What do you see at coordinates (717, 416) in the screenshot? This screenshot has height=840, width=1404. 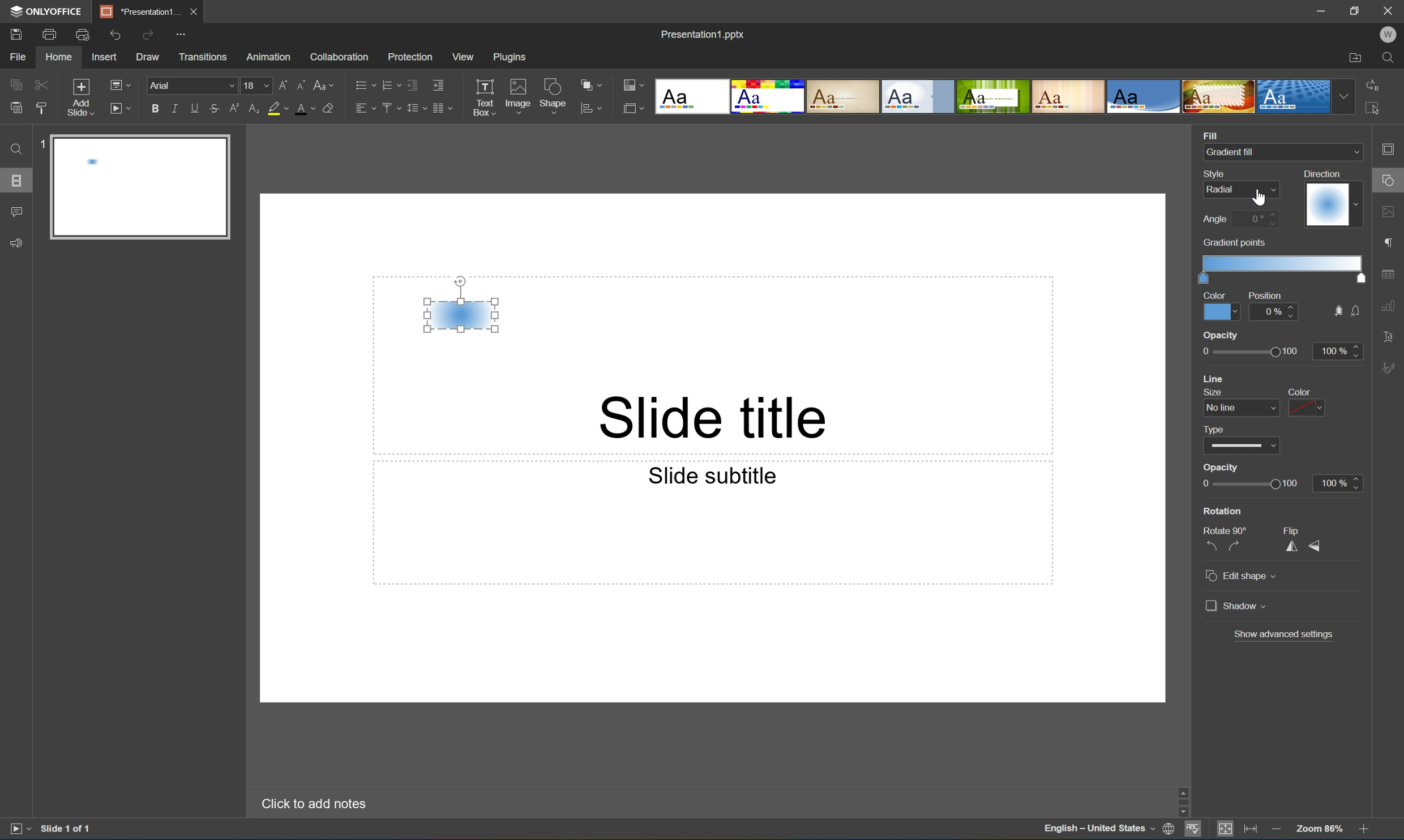 I see `Slide title` at bounding box center [717, 416].